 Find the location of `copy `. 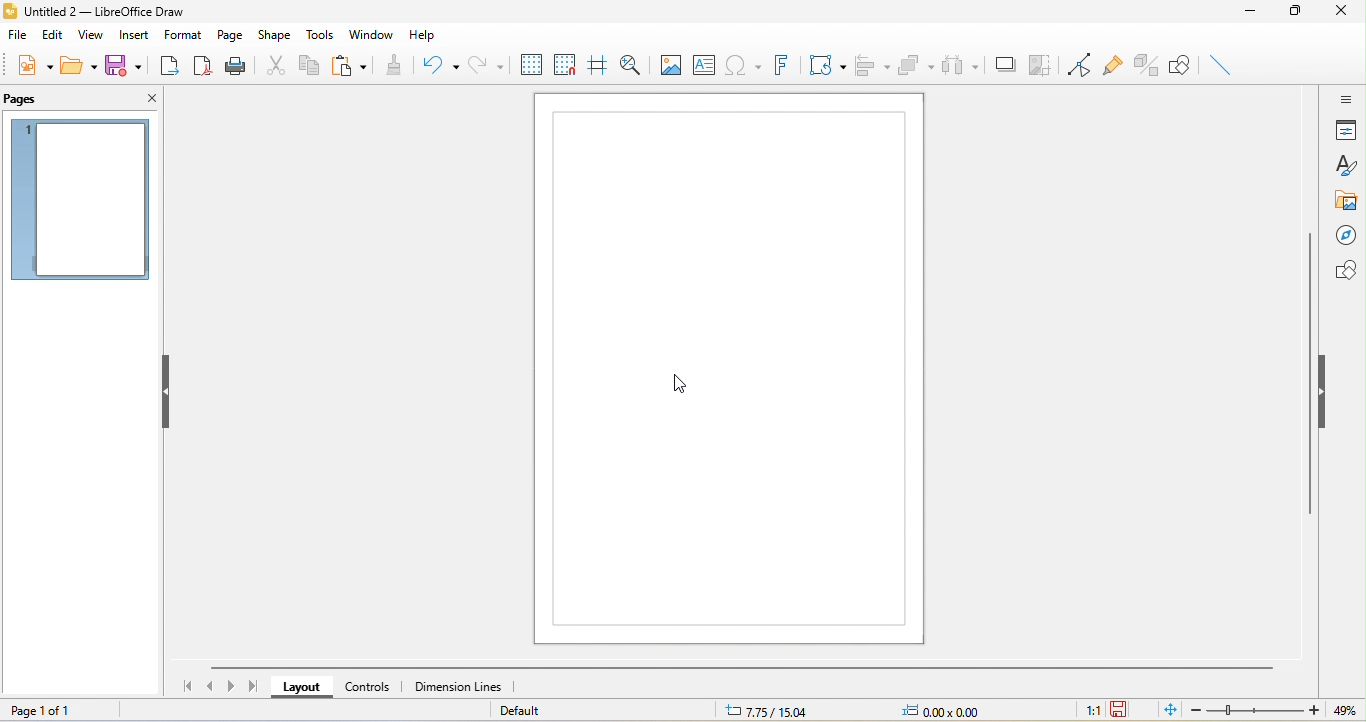

copy  is located at coordinates (311, 66).